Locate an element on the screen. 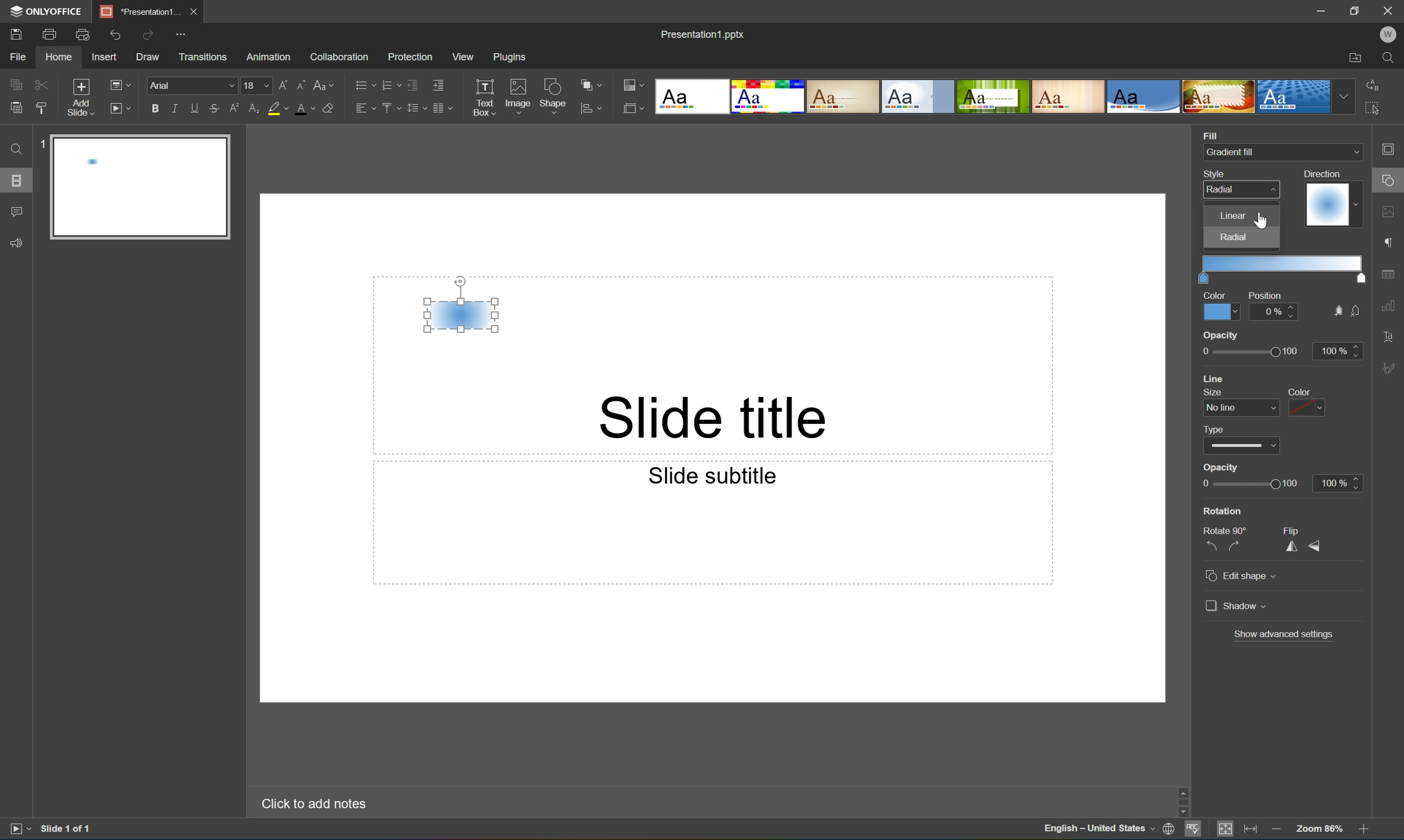  Presentation1... is located at coordinates (136, 11).